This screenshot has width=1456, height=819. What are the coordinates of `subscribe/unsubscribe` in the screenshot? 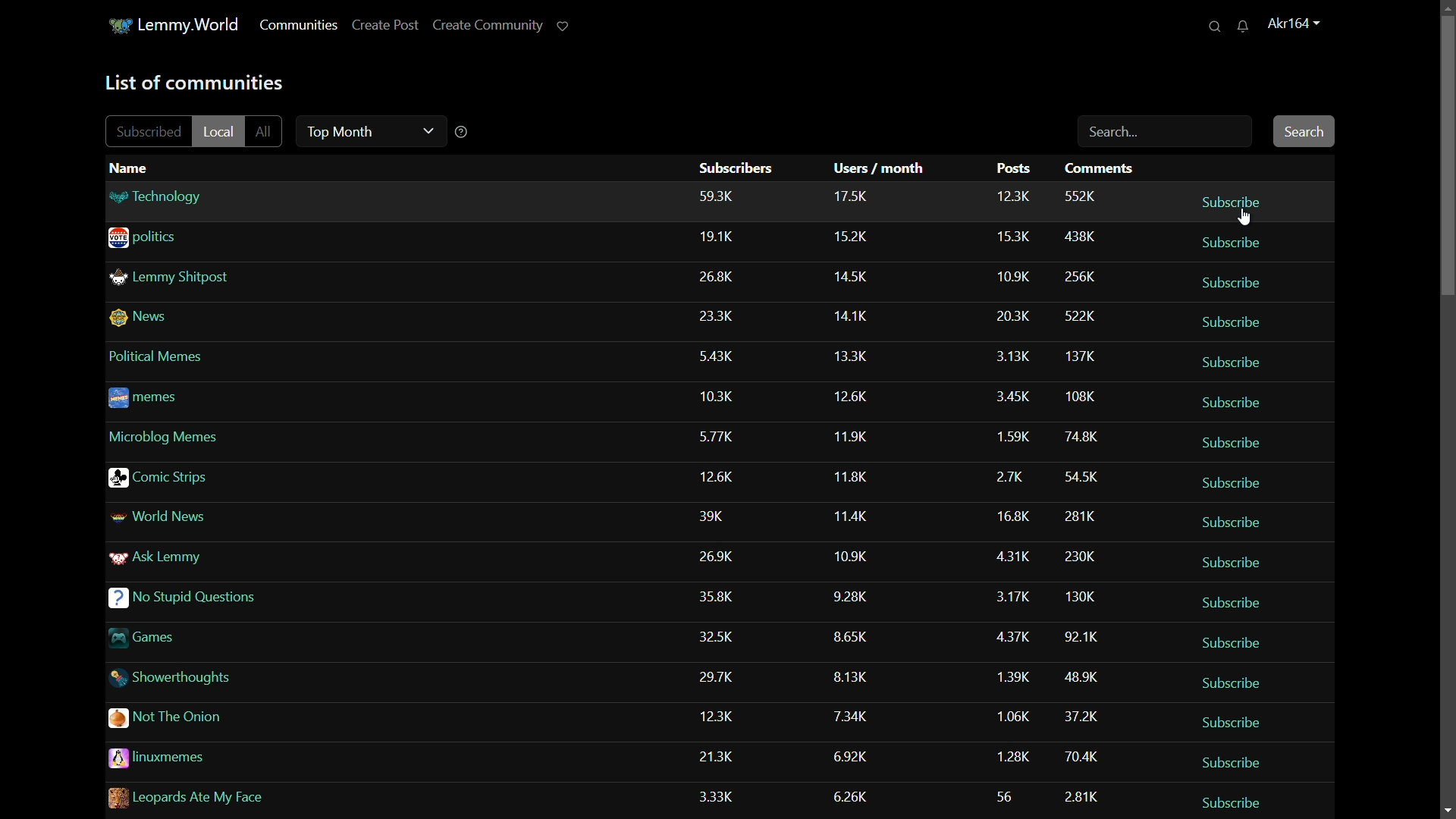 It's located at (1231, 480).